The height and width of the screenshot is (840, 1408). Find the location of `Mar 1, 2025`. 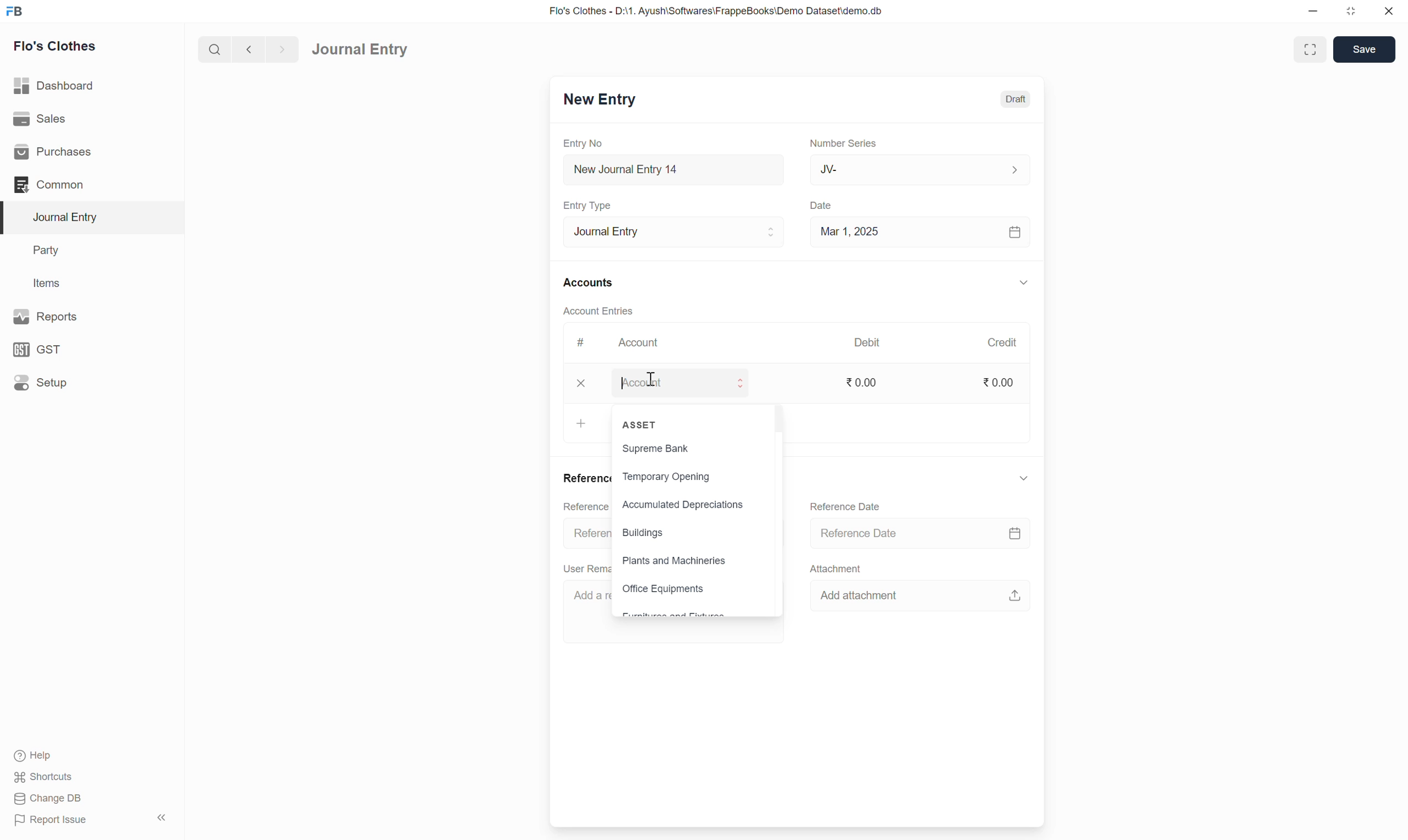

Mar 1, 2025 is located at coordinates (850, 231).